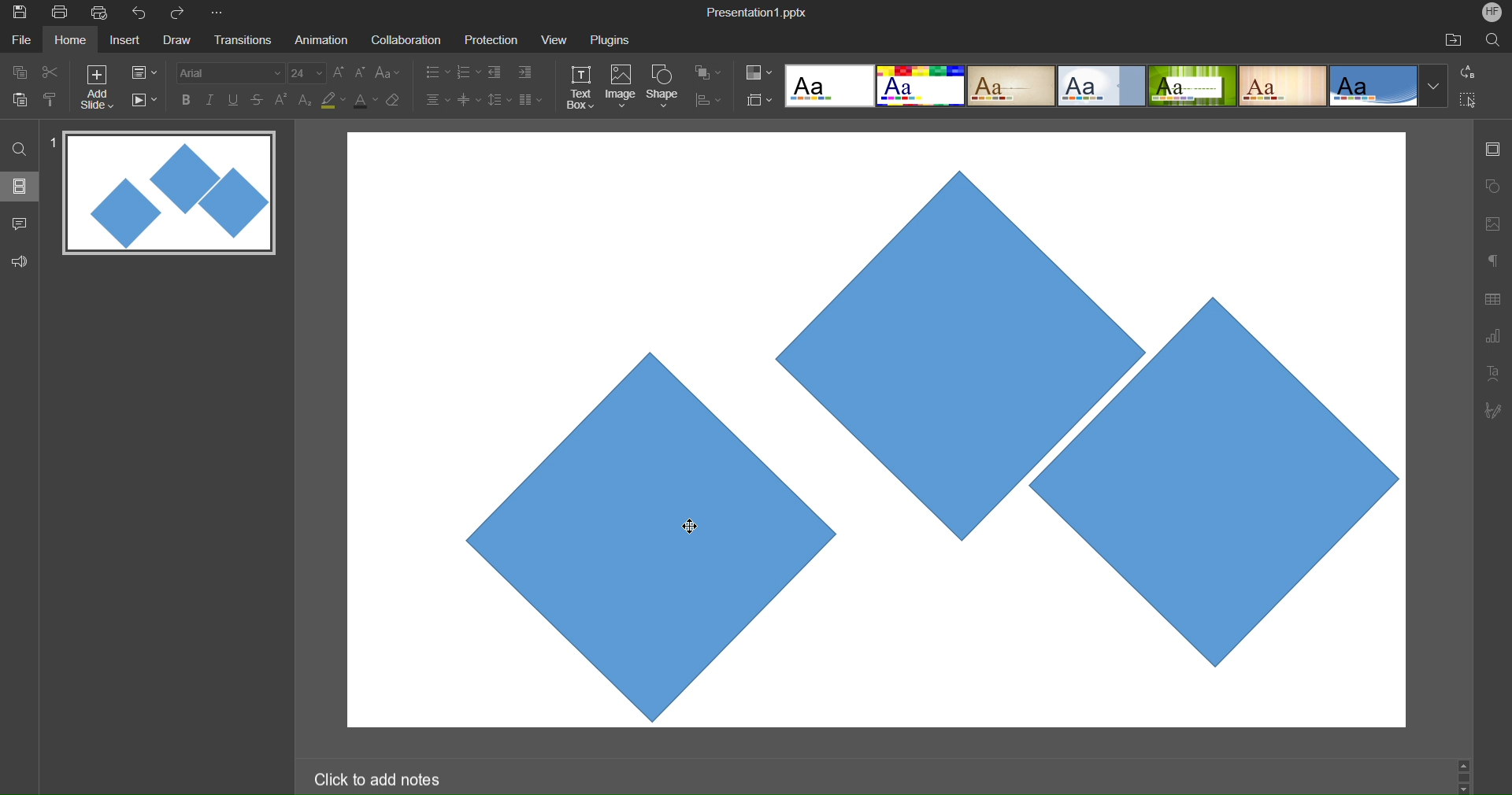 Image resolution: width=1512 pixels, height=795 pixels. Describe the element at coordinates (403, 40) in the screenshot. I see `Collaboration` at that location.